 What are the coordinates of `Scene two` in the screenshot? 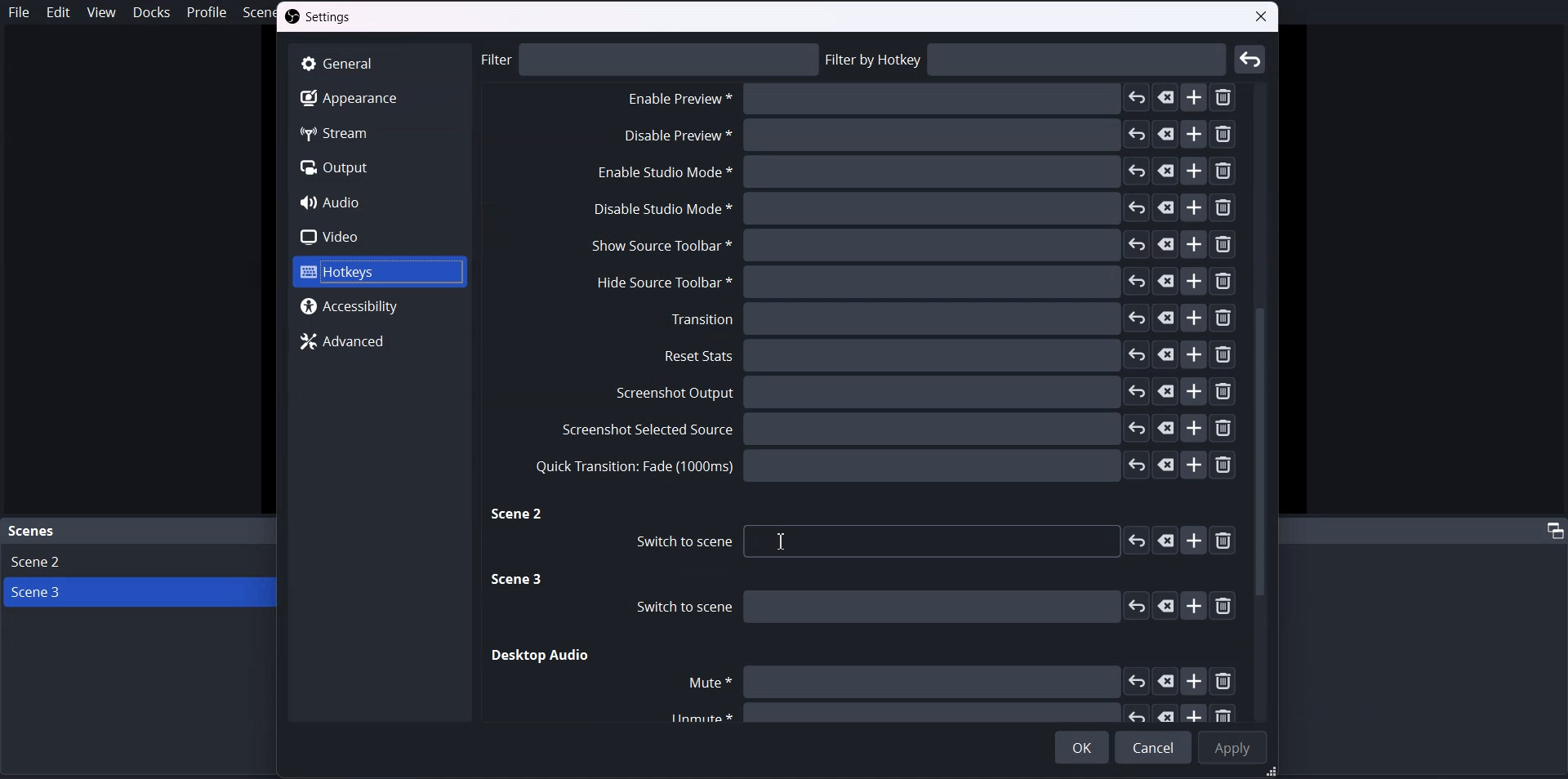 It's located at (519, 515).